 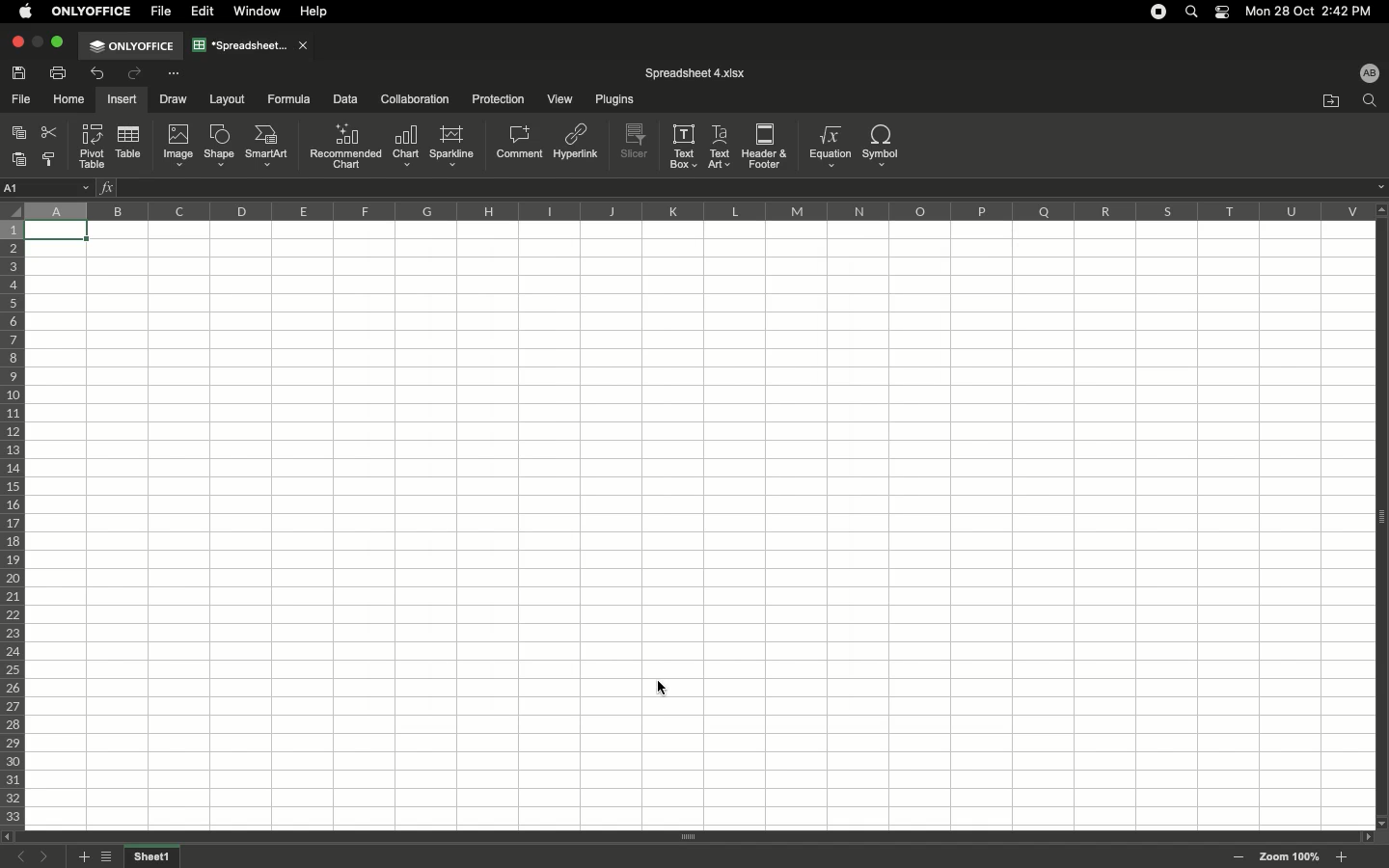 I want to click on cursor, so click(x=662, y=688).